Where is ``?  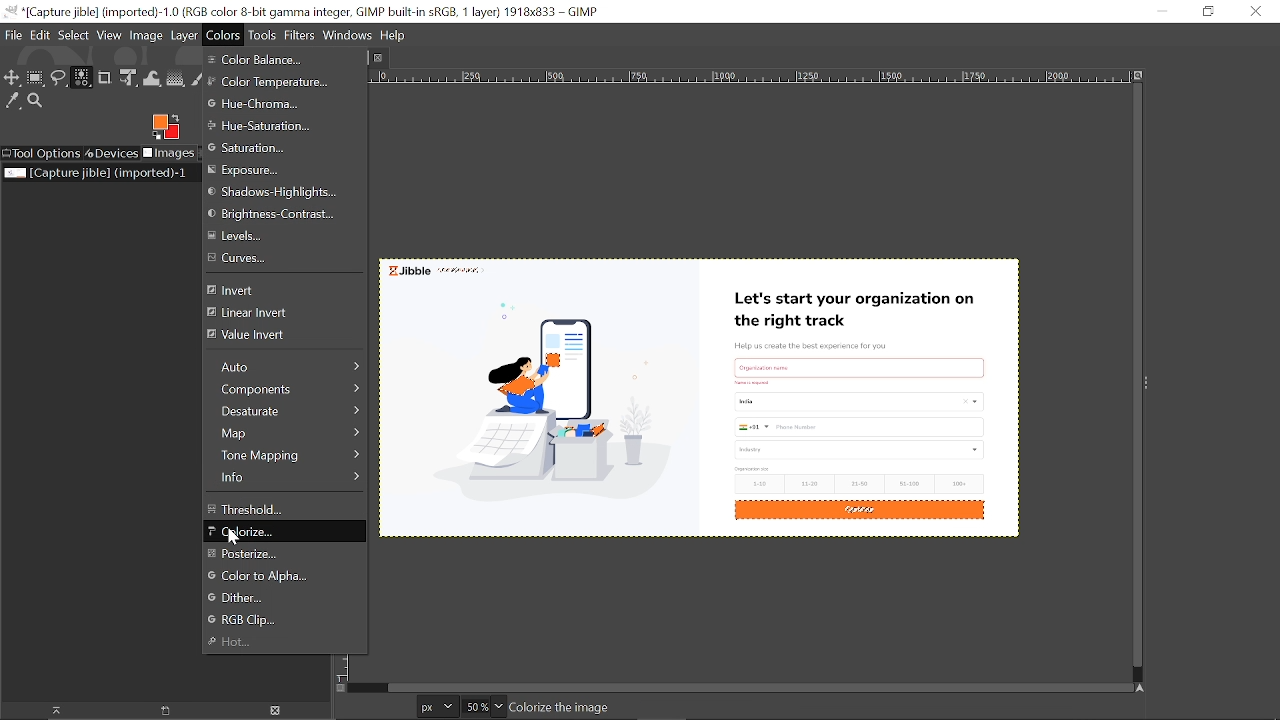
 is located at coordinates (393, 36).